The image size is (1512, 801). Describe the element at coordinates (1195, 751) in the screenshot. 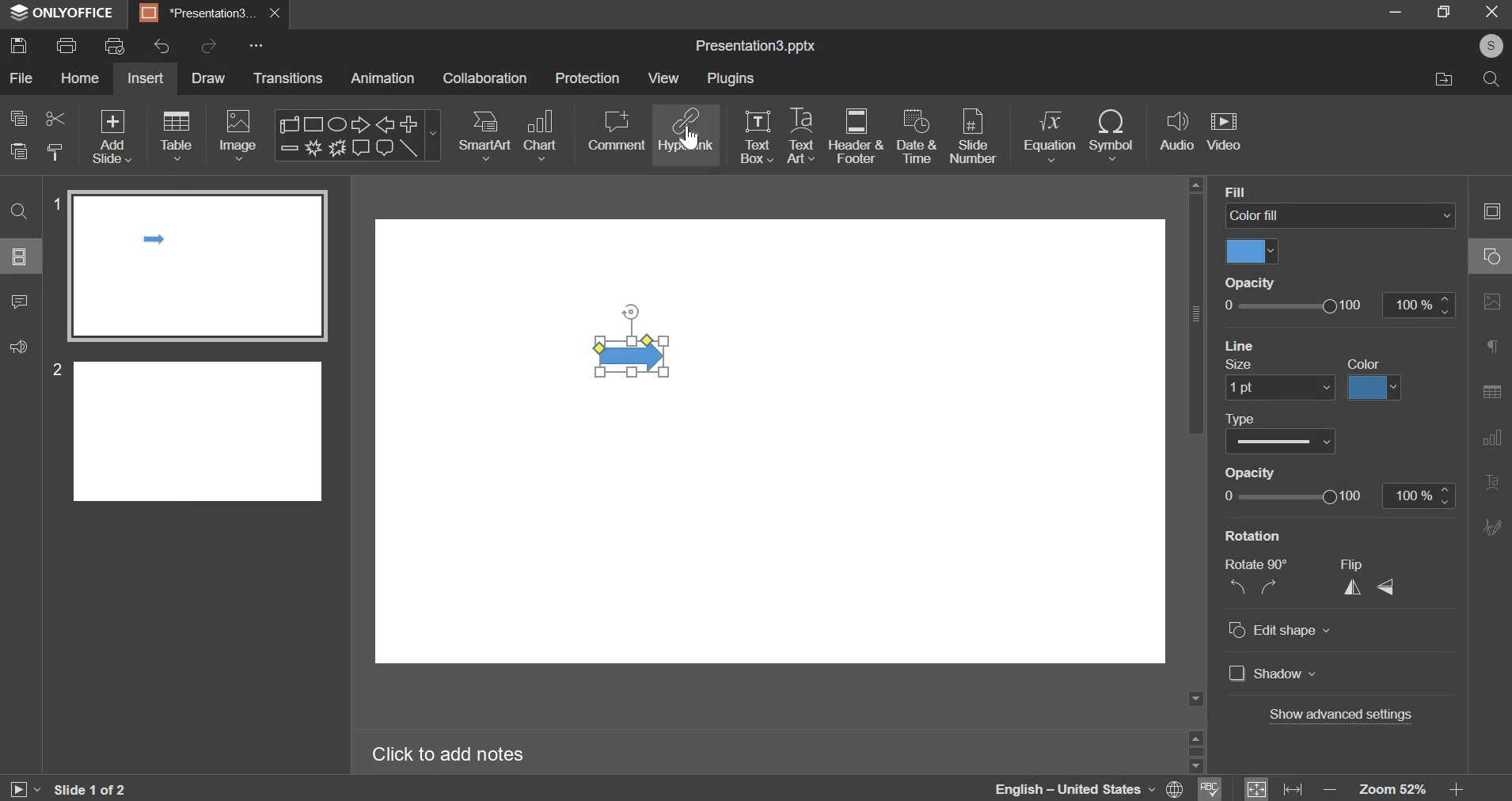

I see `scrollbar` at that location.